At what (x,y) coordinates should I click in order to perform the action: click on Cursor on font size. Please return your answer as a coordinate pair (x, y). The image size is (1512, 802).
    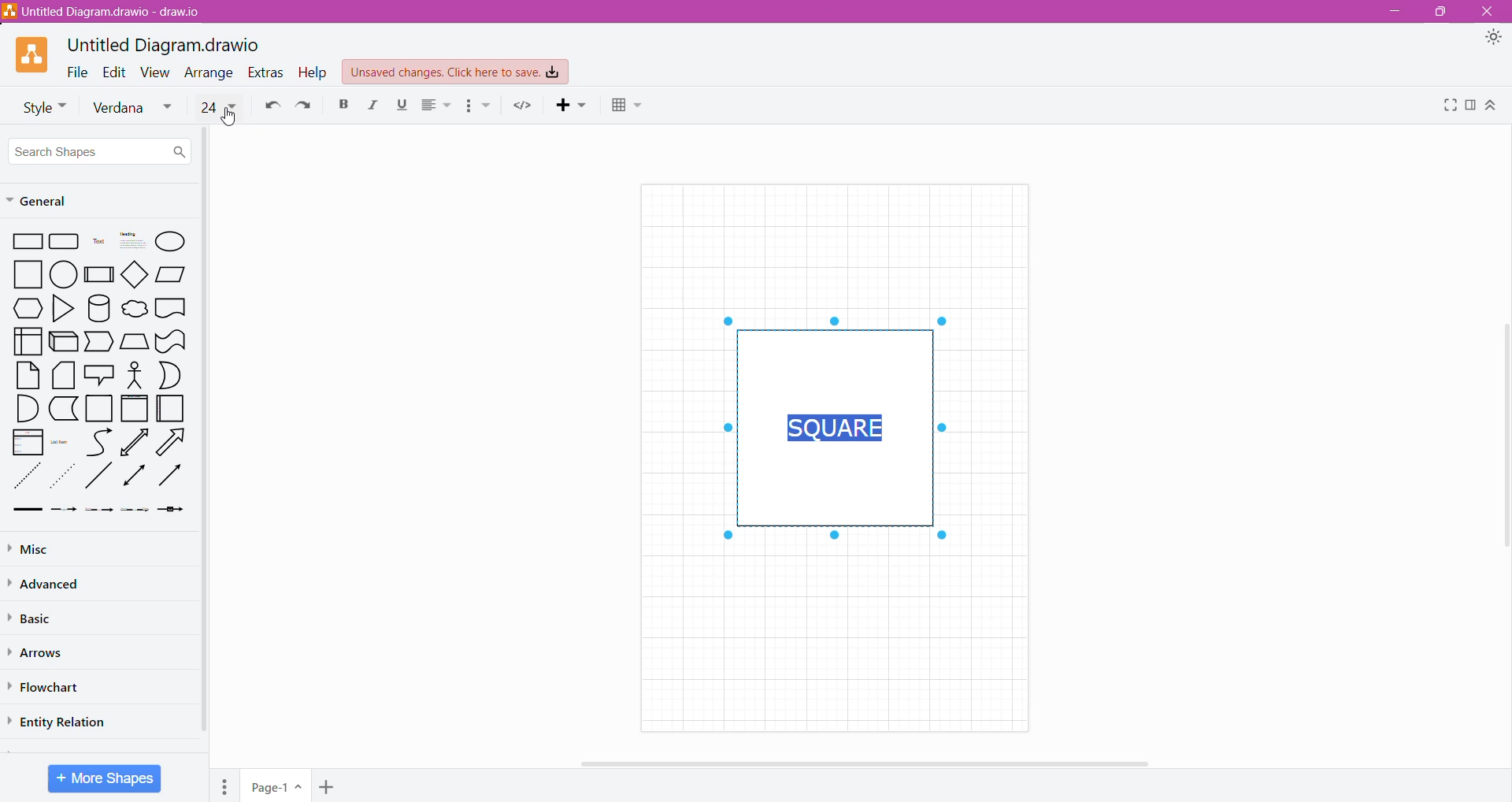
    Looking at the image, I should click on (228, 119).